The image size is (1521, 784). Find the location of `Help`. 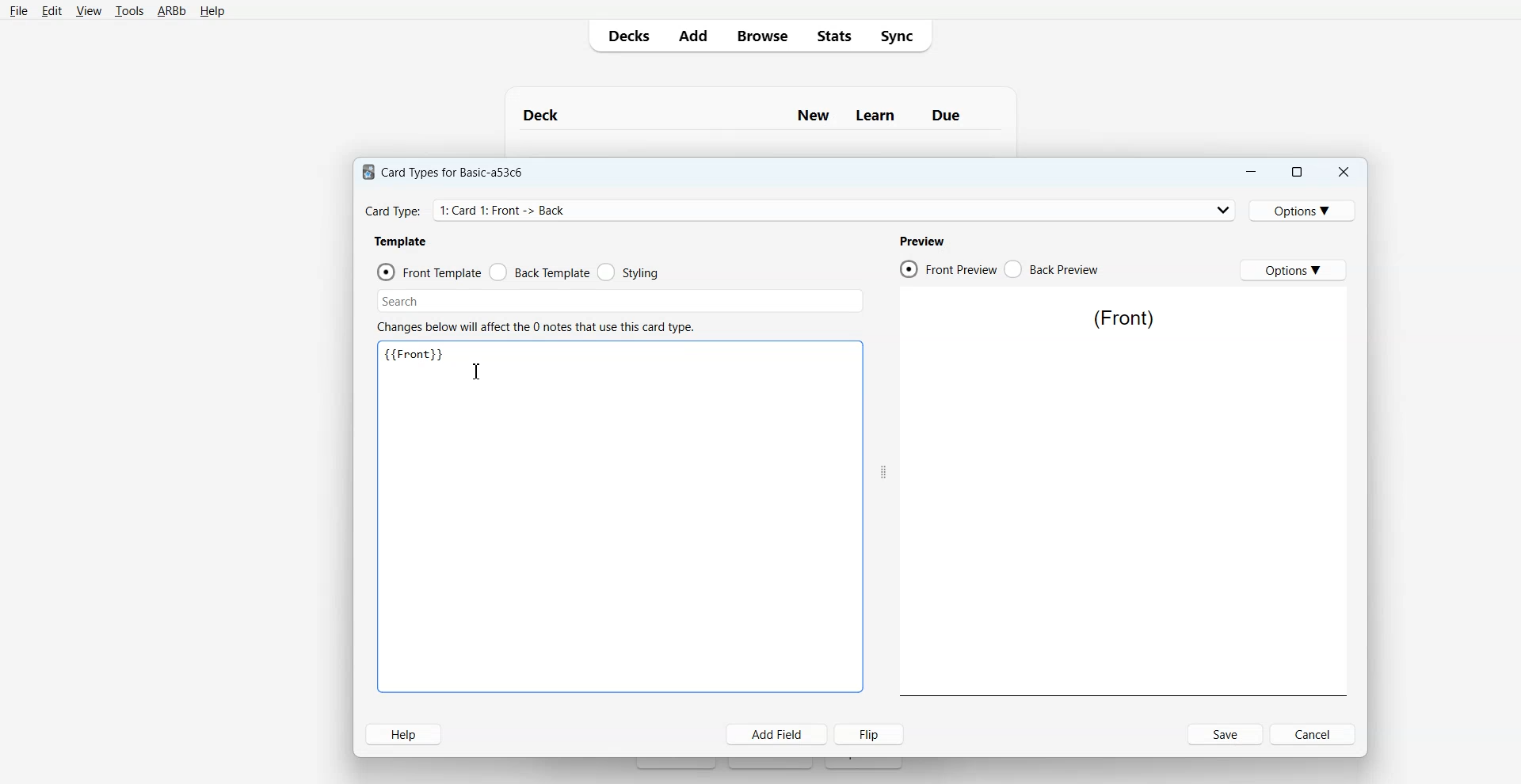

Help is located at coordinates (403, 734).